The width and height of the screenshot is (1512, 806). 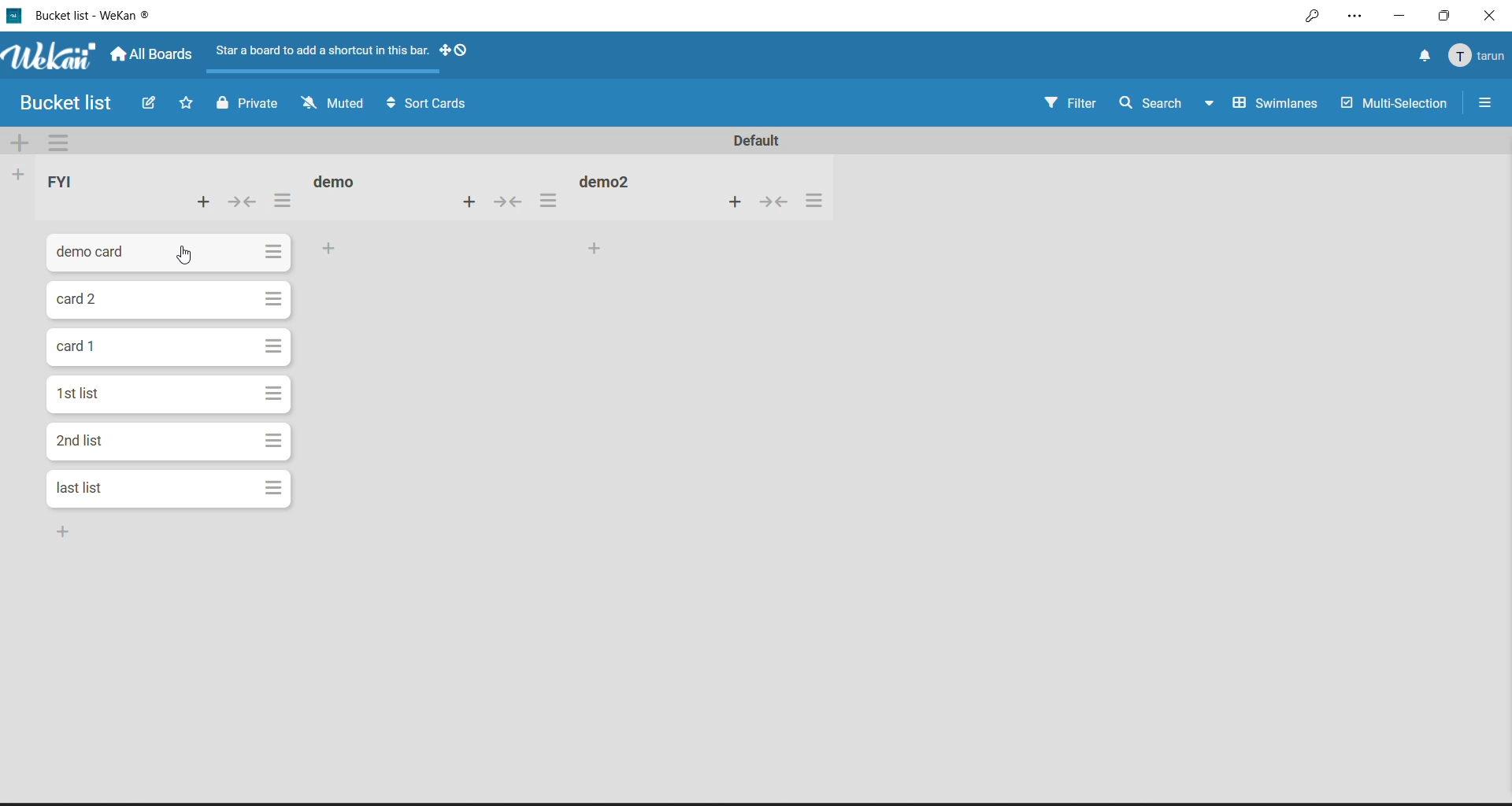 I want to click on list actions, so click(x=812, y=201).